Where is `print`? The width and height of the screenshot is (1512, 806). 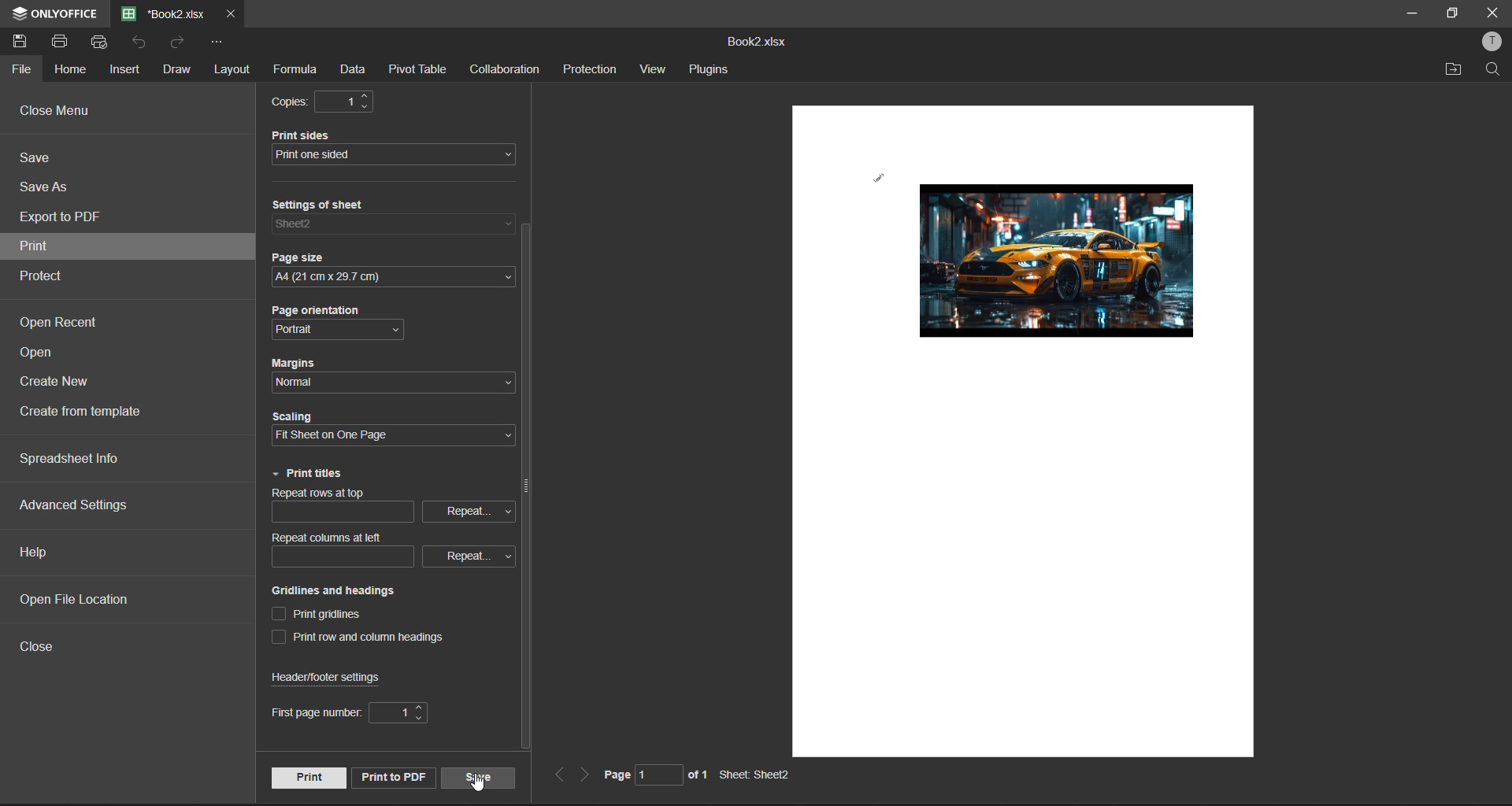
print is located at coordinates (57, 248).